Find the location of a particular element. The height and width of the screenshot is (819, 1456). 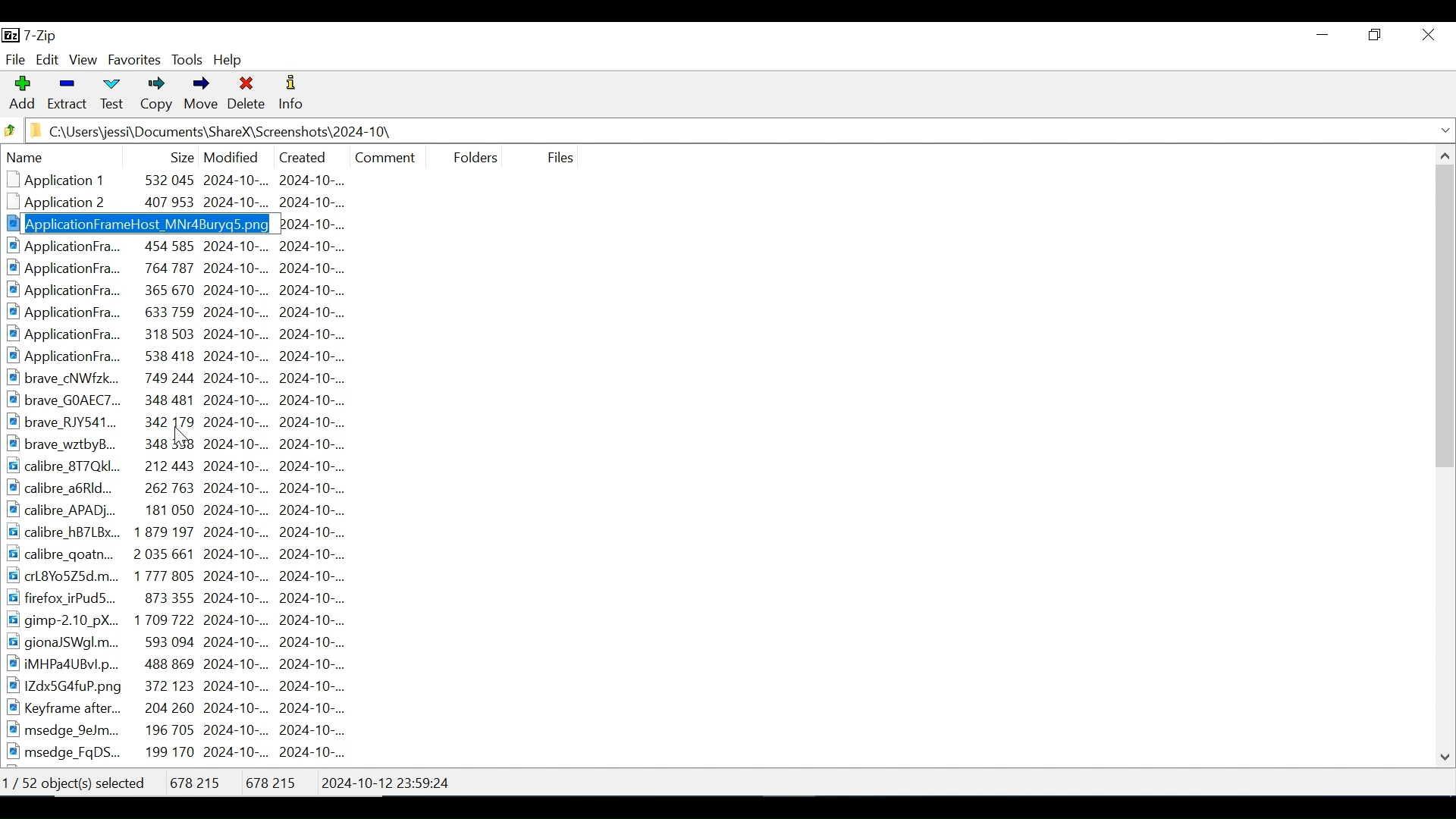

ApplicationFra.. 538 418 2024-10-.. 2024-10-... is located at coordinates (189, 356).